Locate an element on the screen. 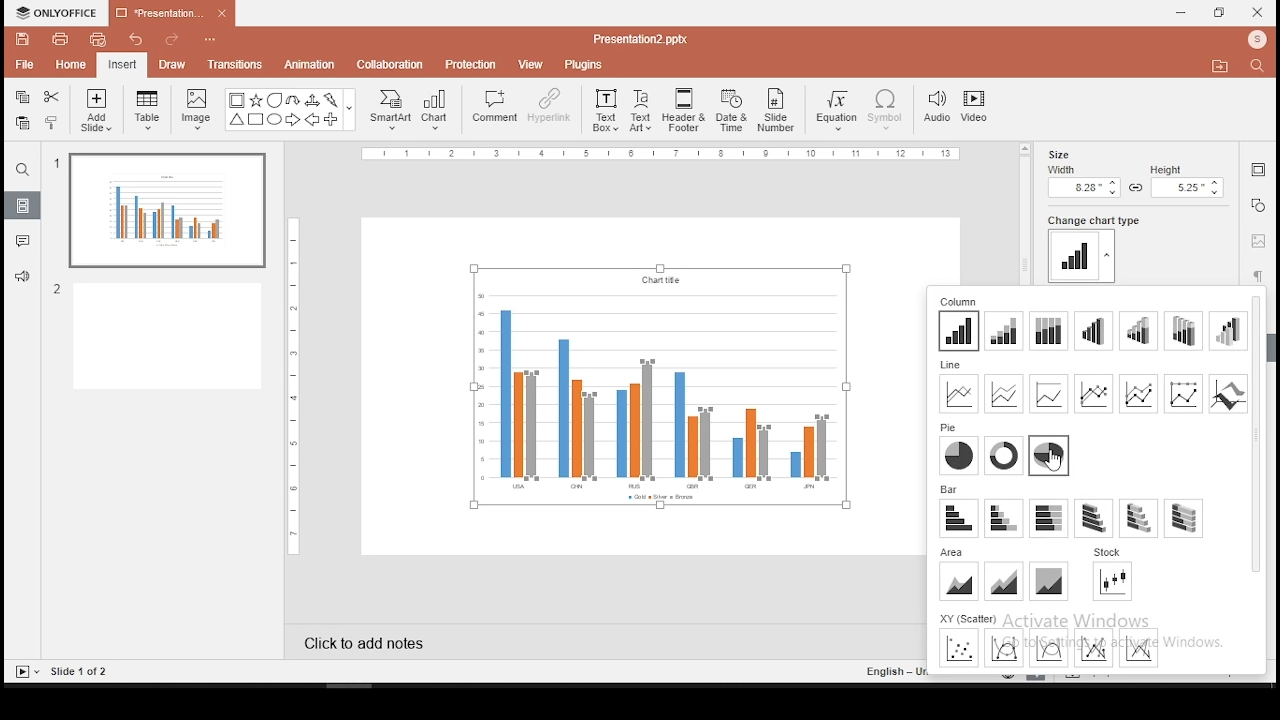 This screenshot has width=1280, height=720. size is located at coordinates (1063, 153).